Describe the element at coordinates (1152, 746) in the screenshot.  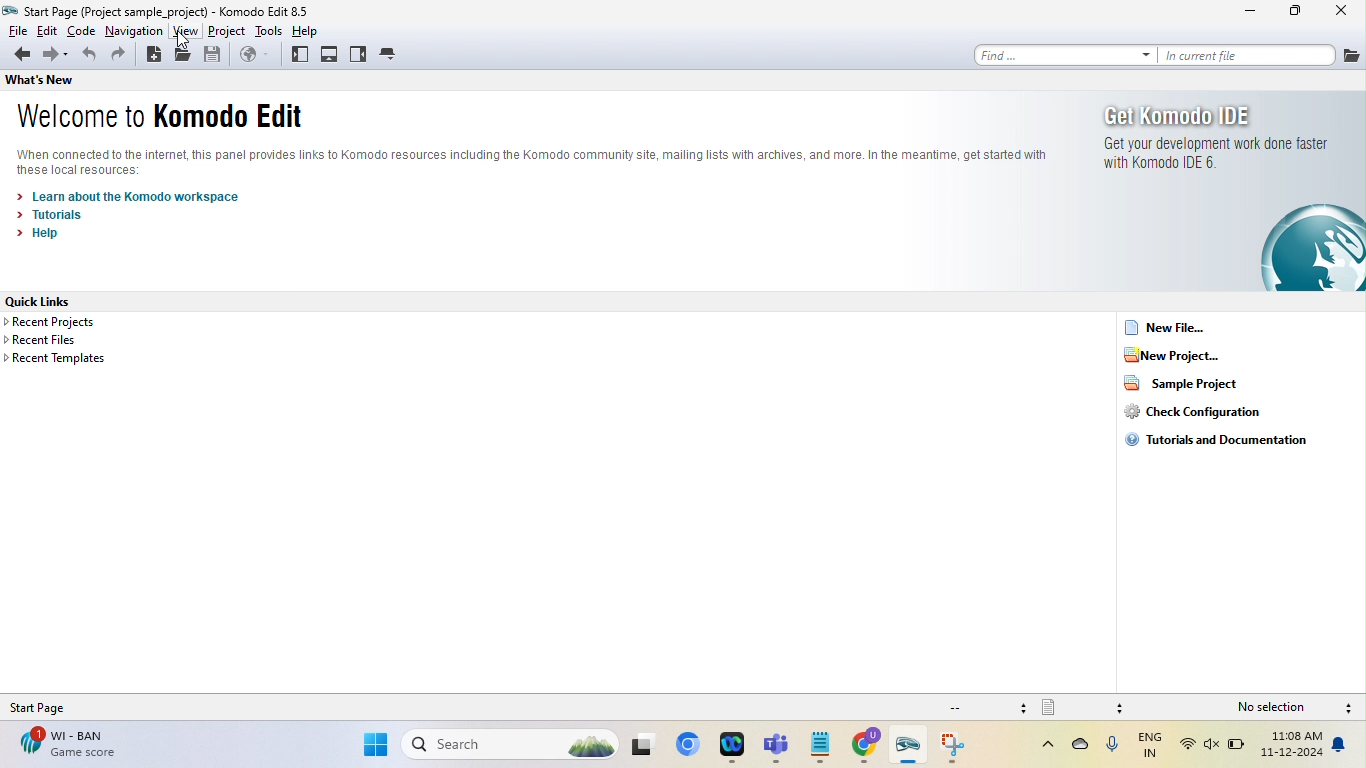
I see `english` at that location.